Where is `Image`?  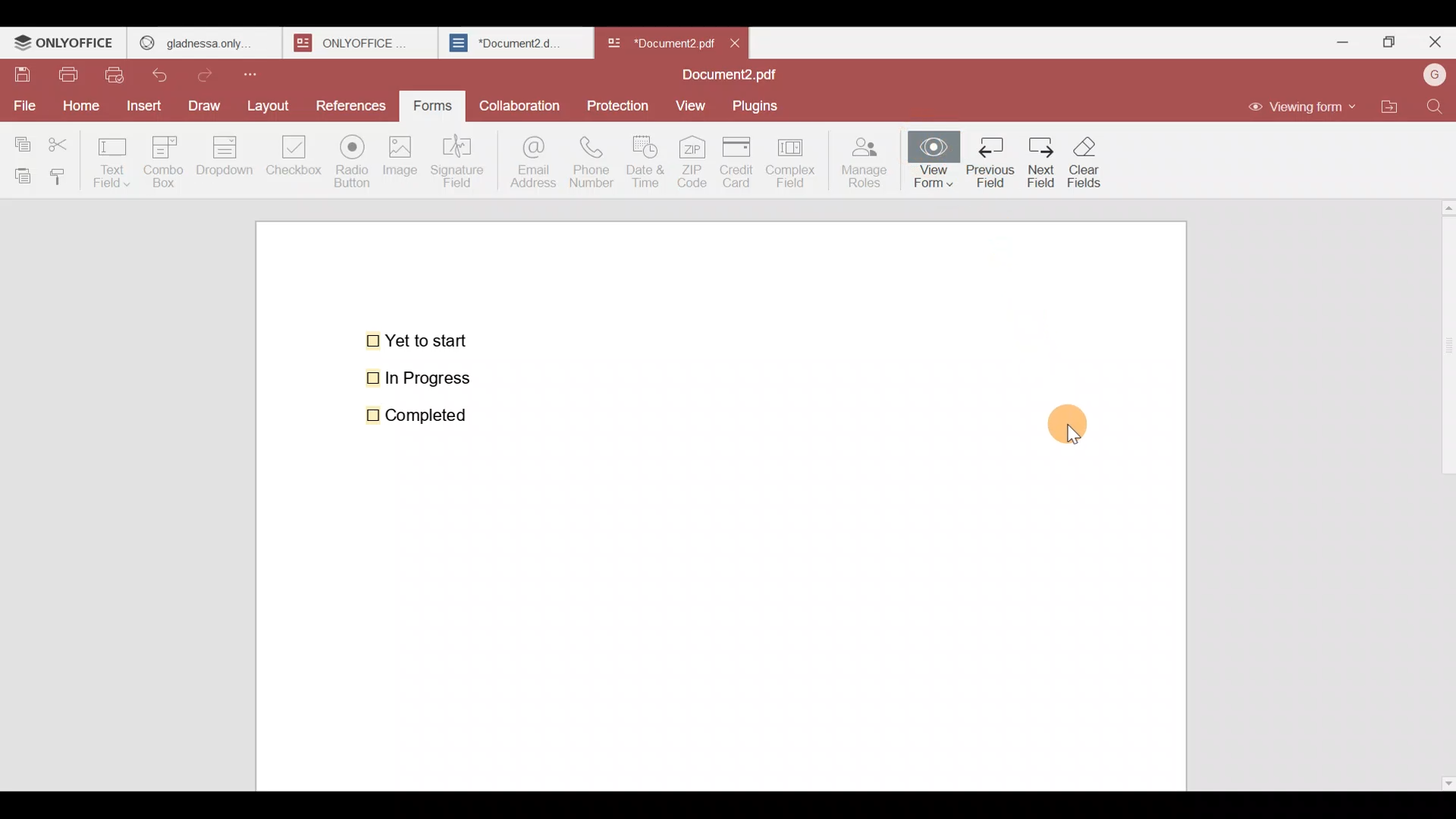 Image is located at coordinates (402, 167).